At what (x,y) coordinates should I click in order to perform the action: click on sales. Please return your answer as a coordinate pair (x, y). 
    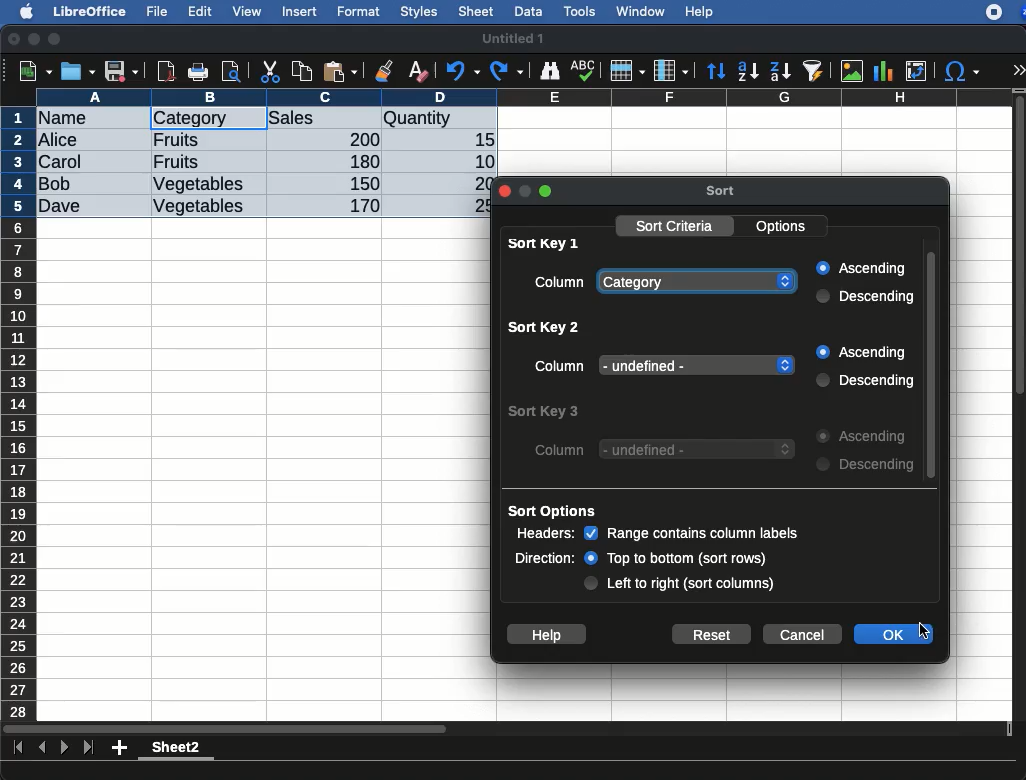
    Looking at the image, I should click on (325, 119).